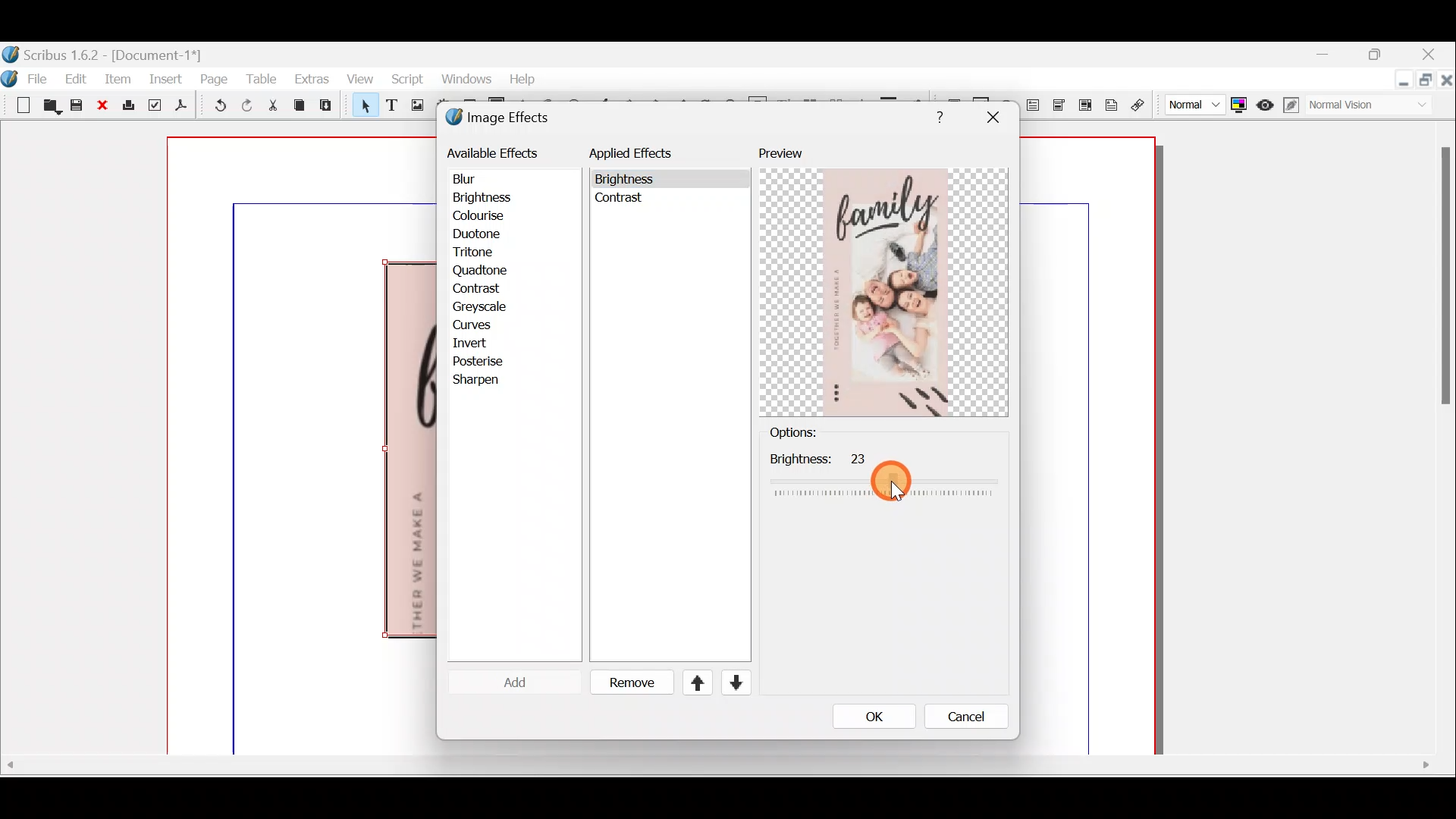 This screenshot has height=819, width=1456. What do you see at coordinates (522, 77) in the screenshot?
I see `Help` at bounding box center [522, 77].